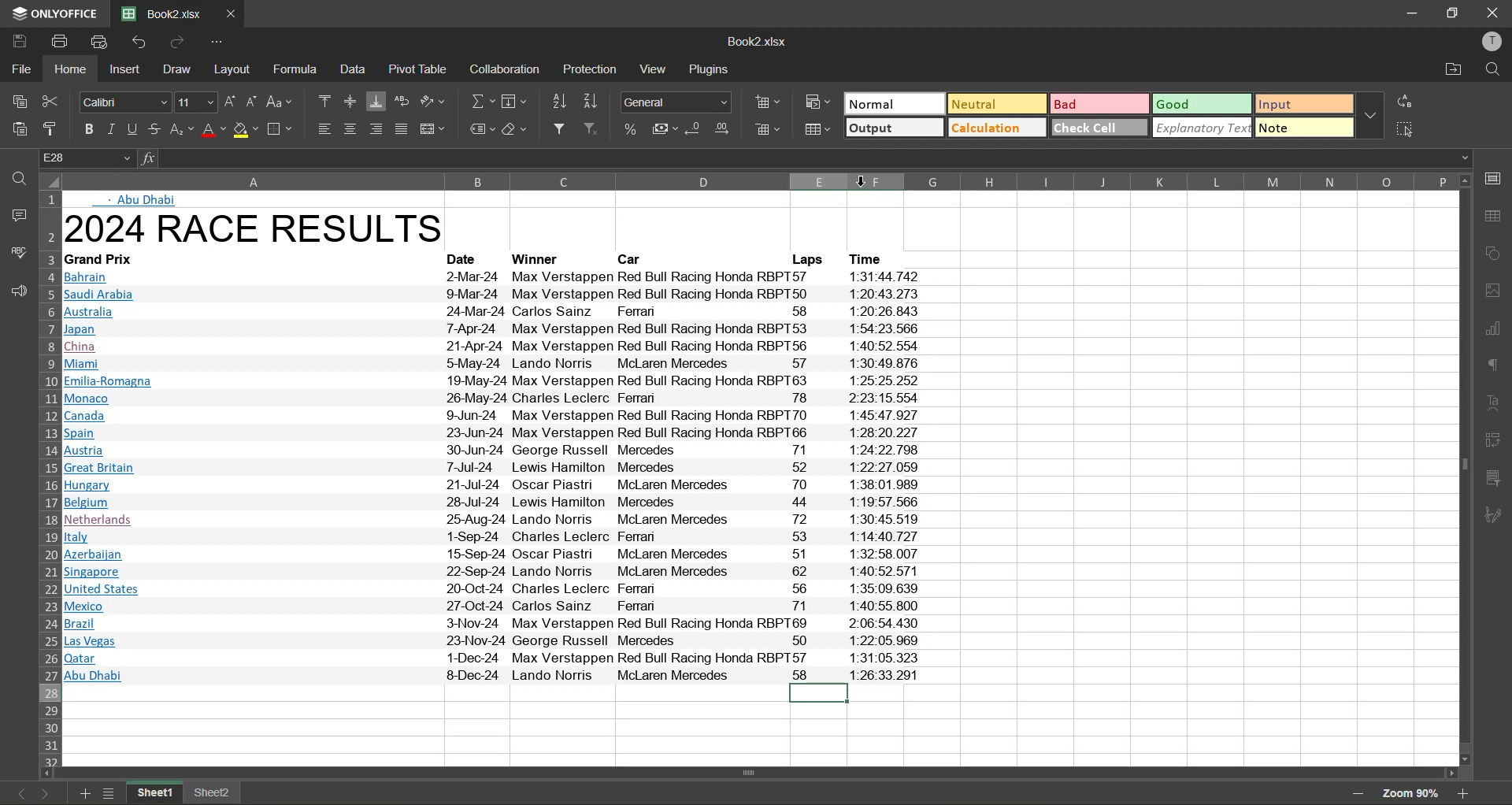 This screenshot has width=1512, height=805. I want to click on filename, so click(760, 43).